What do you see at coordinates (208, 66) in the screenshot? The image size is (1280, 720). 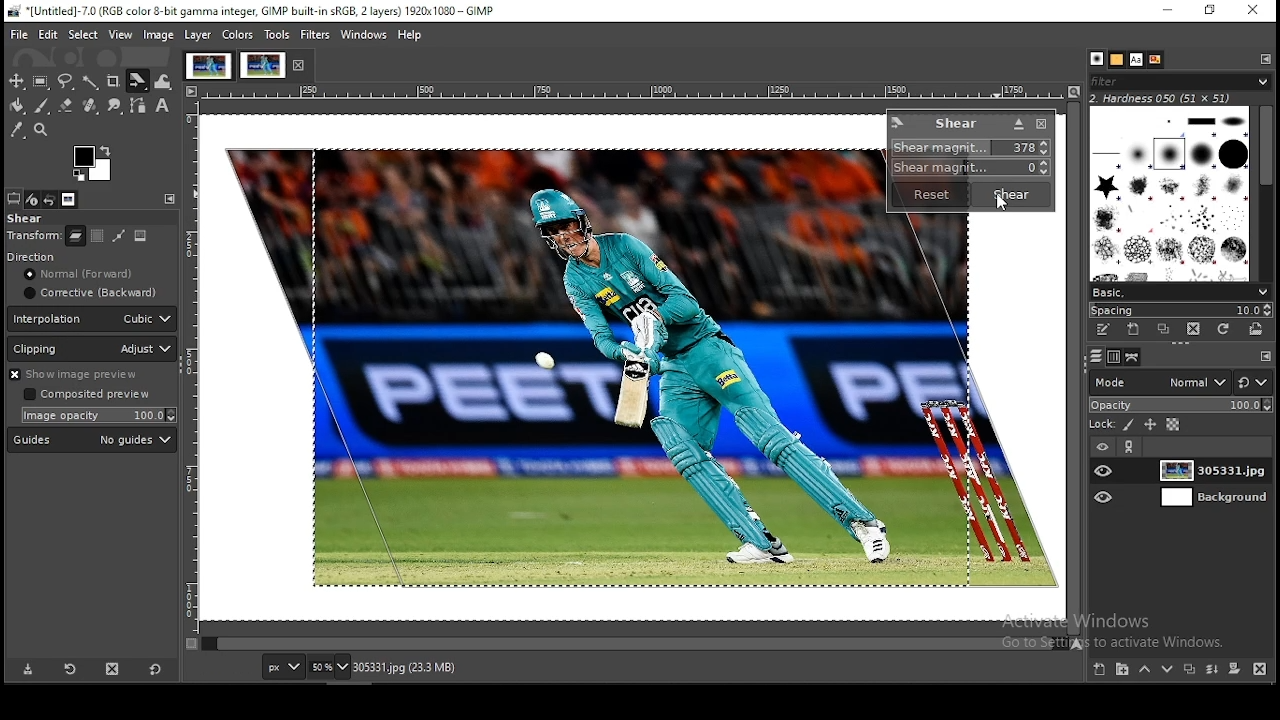 I see `project tab 1` at bounding box center [208, 66].